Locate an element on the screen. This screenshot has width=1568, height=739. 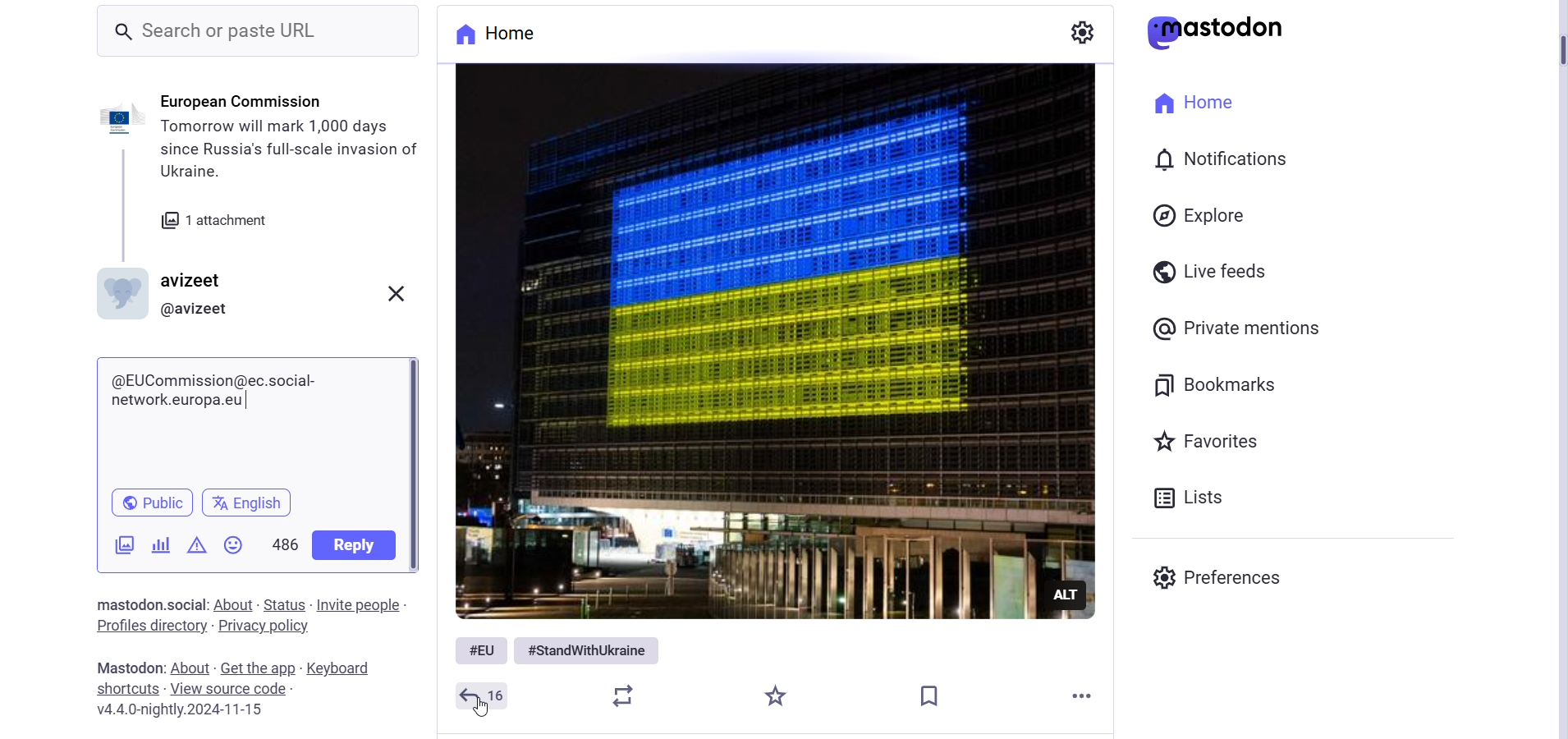
Reply is located at coordinates (355, 547).